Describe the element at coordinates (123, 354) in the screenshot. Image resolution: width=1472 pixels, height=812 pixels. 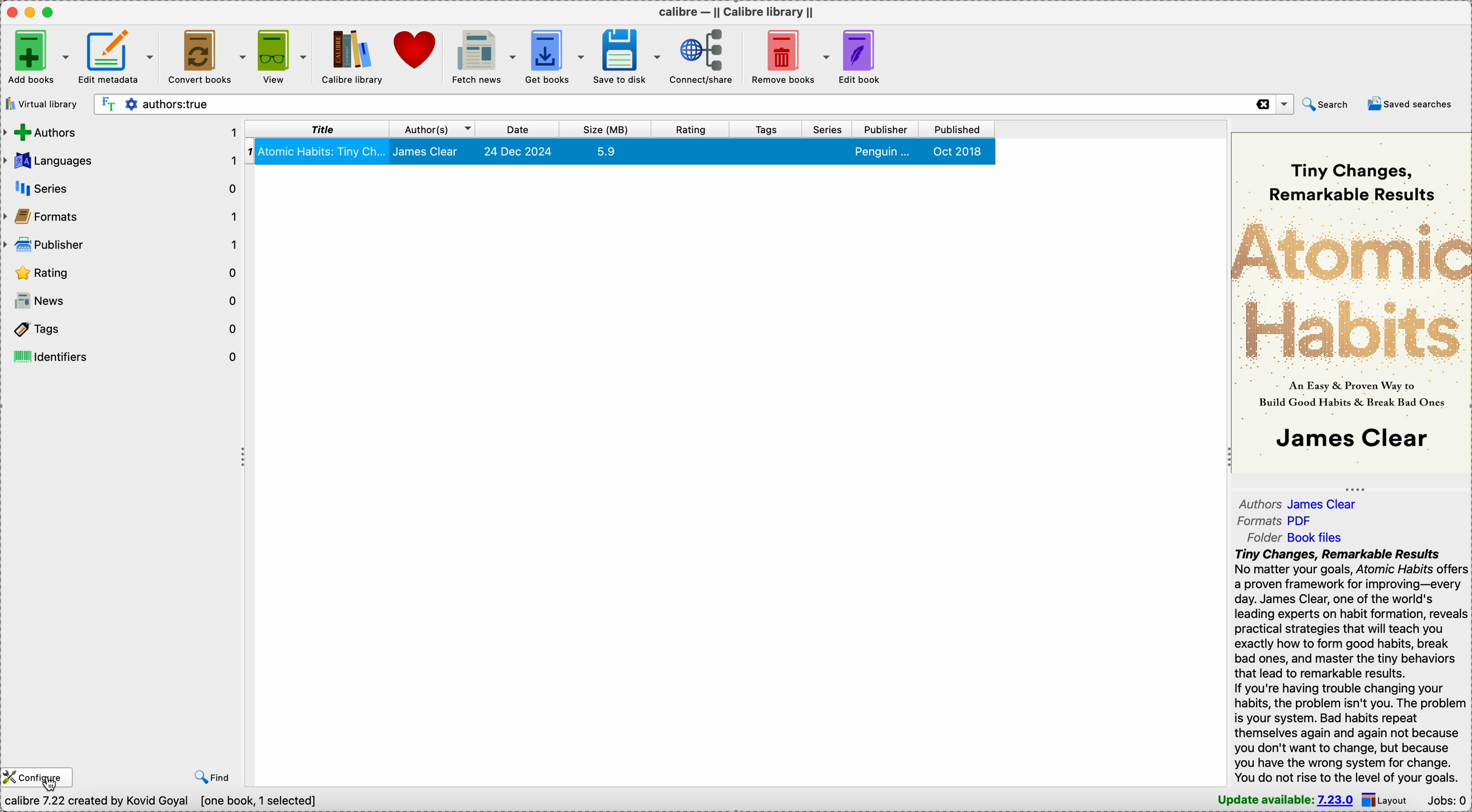
I see `identifiers` at that location.